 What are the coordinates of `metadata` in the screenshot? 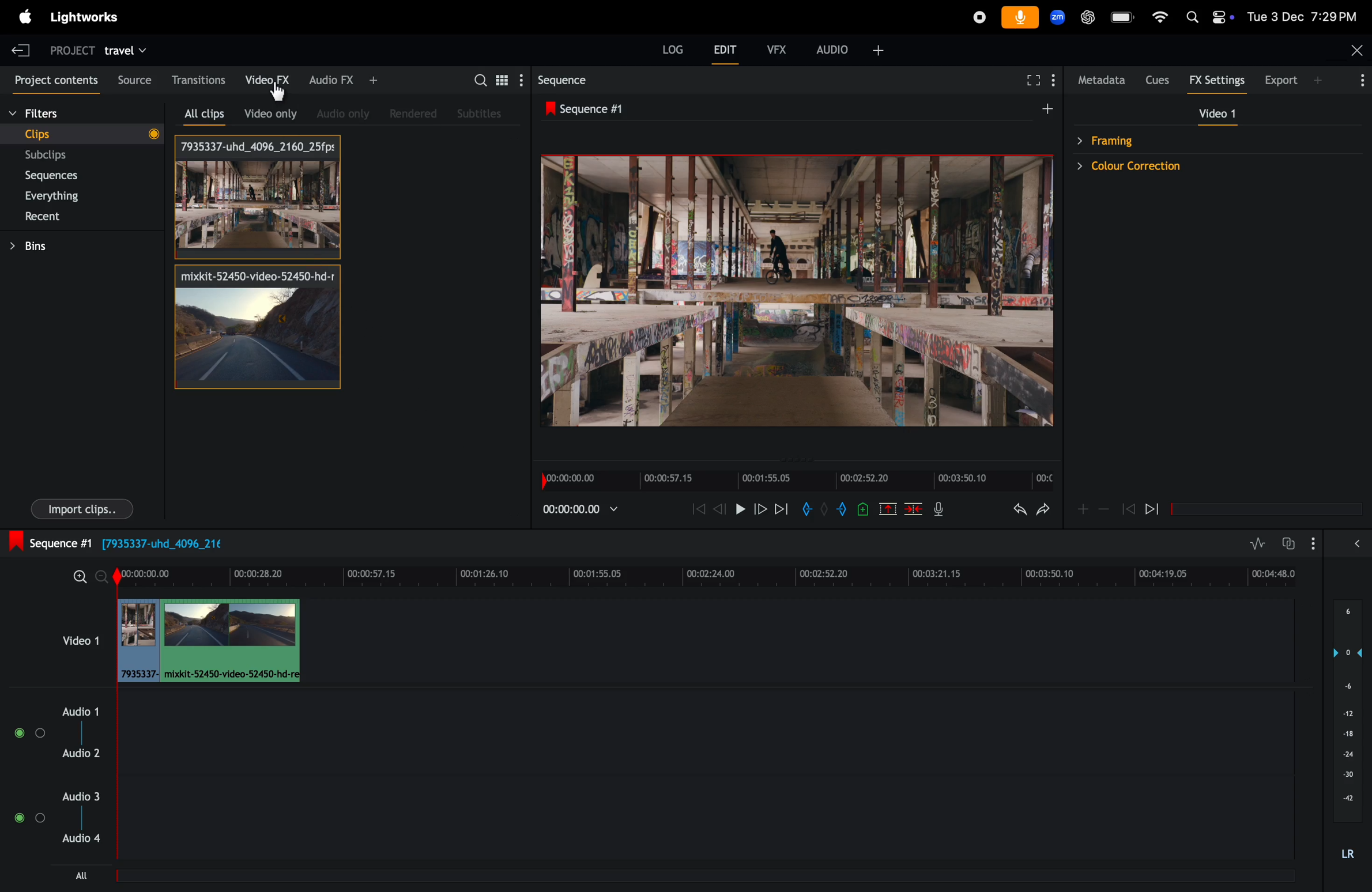 It's located at (1103, 80).